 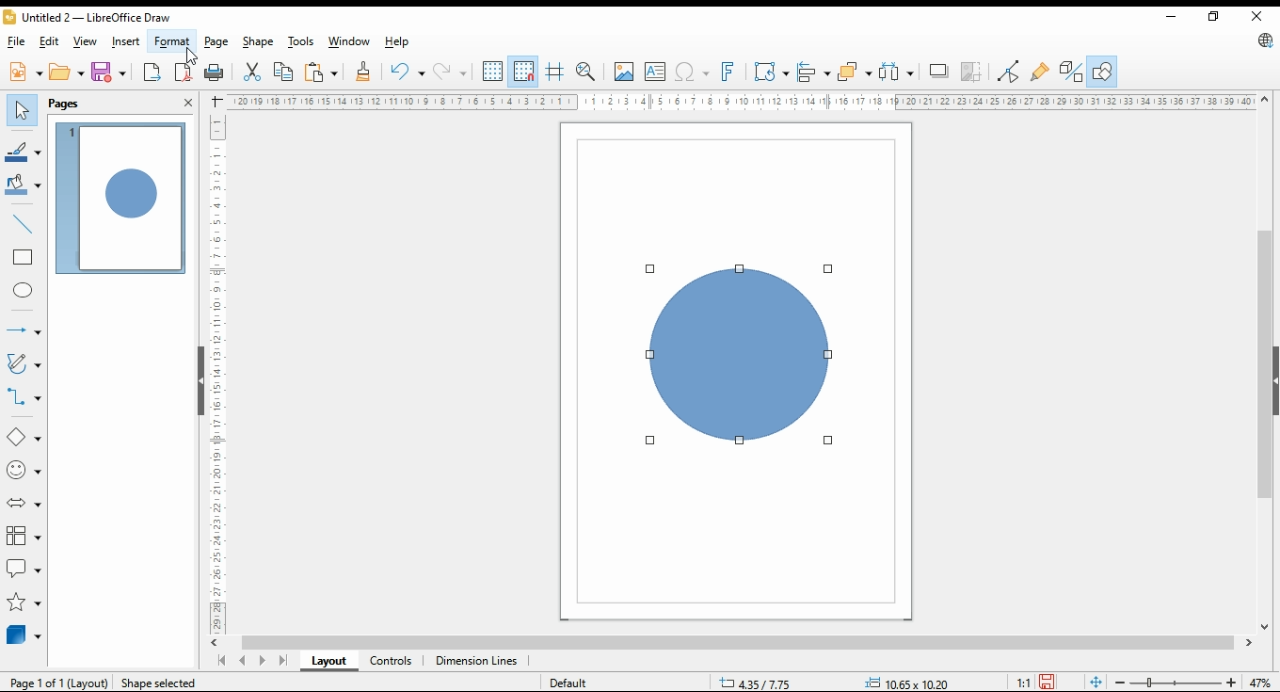 What do you see at coordinates (94, 19) in the screenshot?
I see `icon and filename` at bounding box center [94, 19].